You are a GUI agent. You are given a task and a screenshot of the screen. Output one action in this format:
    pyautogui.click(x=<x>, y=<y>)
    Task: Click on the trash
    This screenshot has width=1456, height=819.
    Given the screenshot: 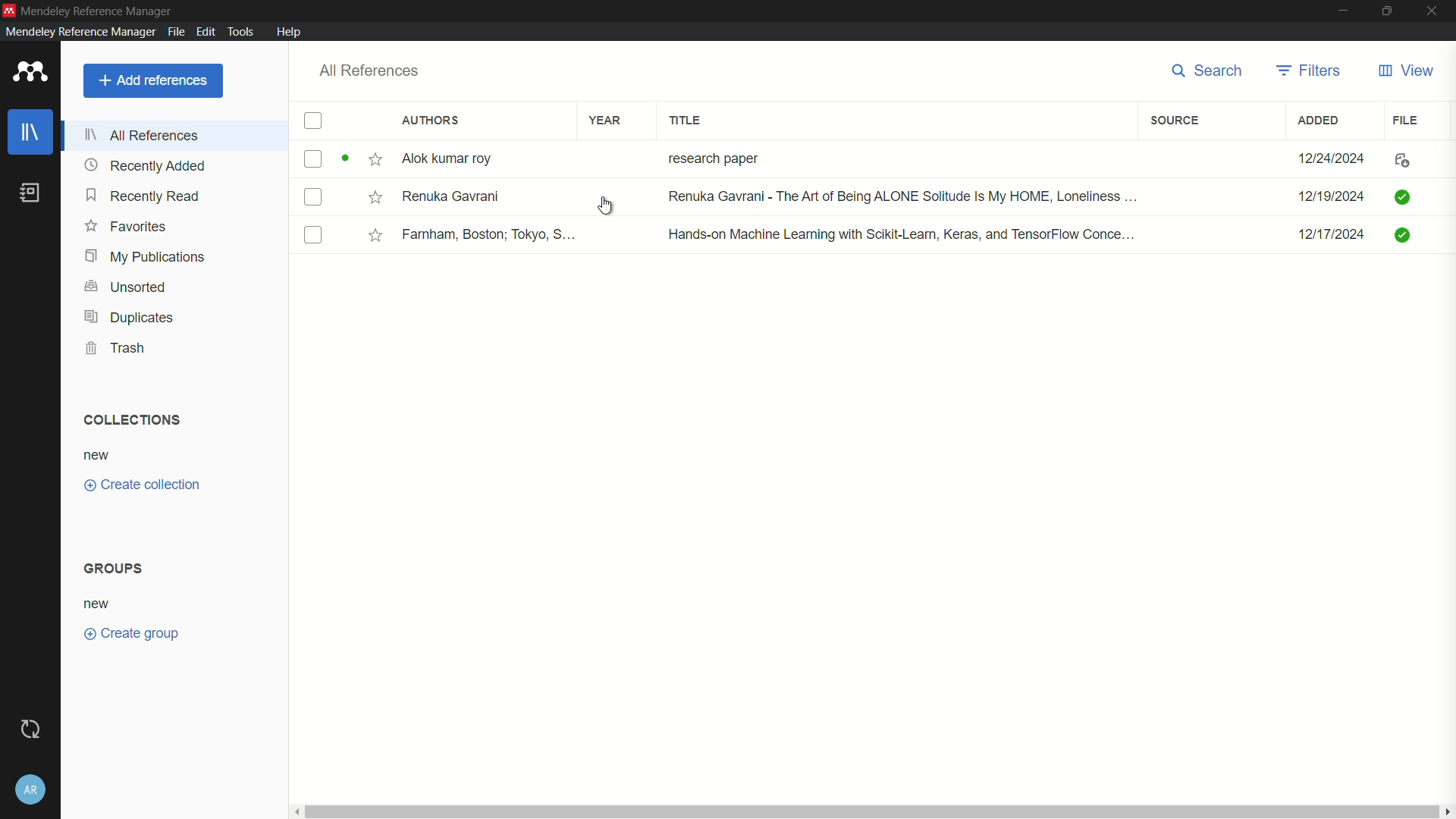 What is the action you would take?
    pyautogui.click(x=115, y=347)
    